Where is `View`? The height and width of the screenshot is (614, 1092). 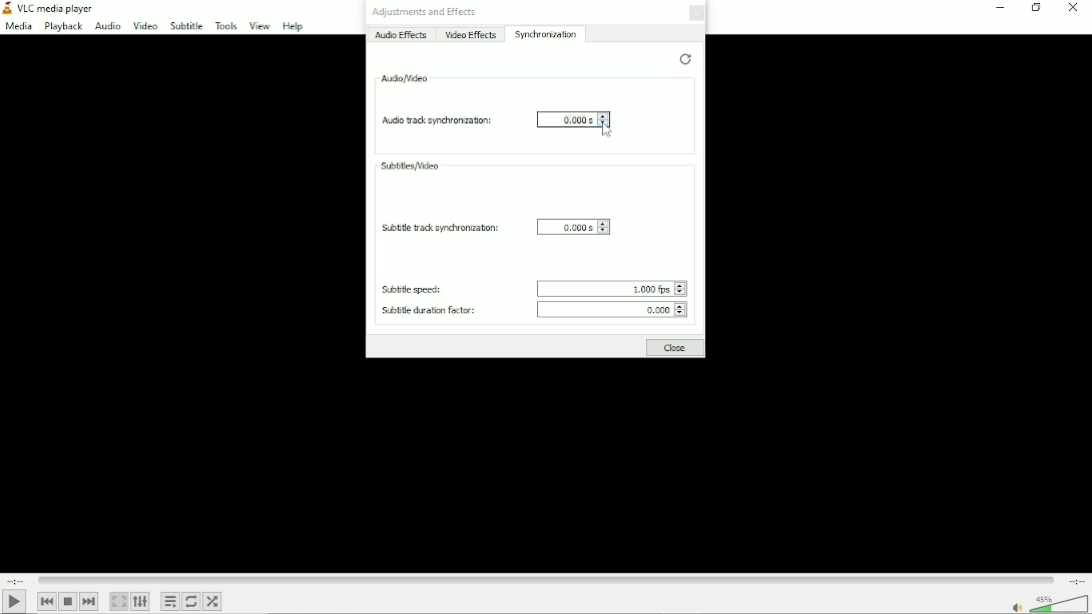
View is located at coordinates (258, 26).